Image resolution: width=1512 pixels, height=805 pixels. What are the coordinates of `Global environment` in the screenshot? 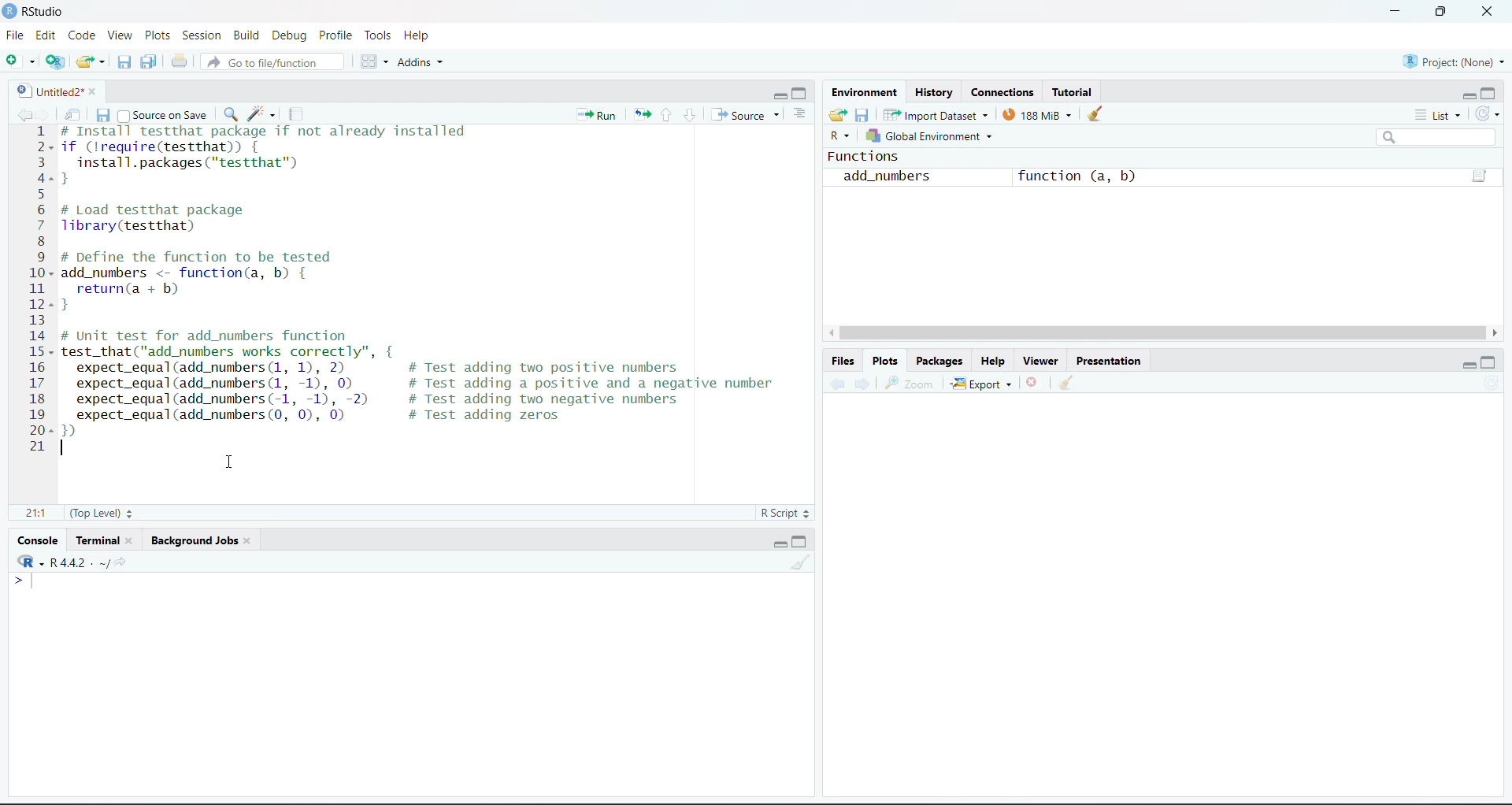 It's located at (932, 135).